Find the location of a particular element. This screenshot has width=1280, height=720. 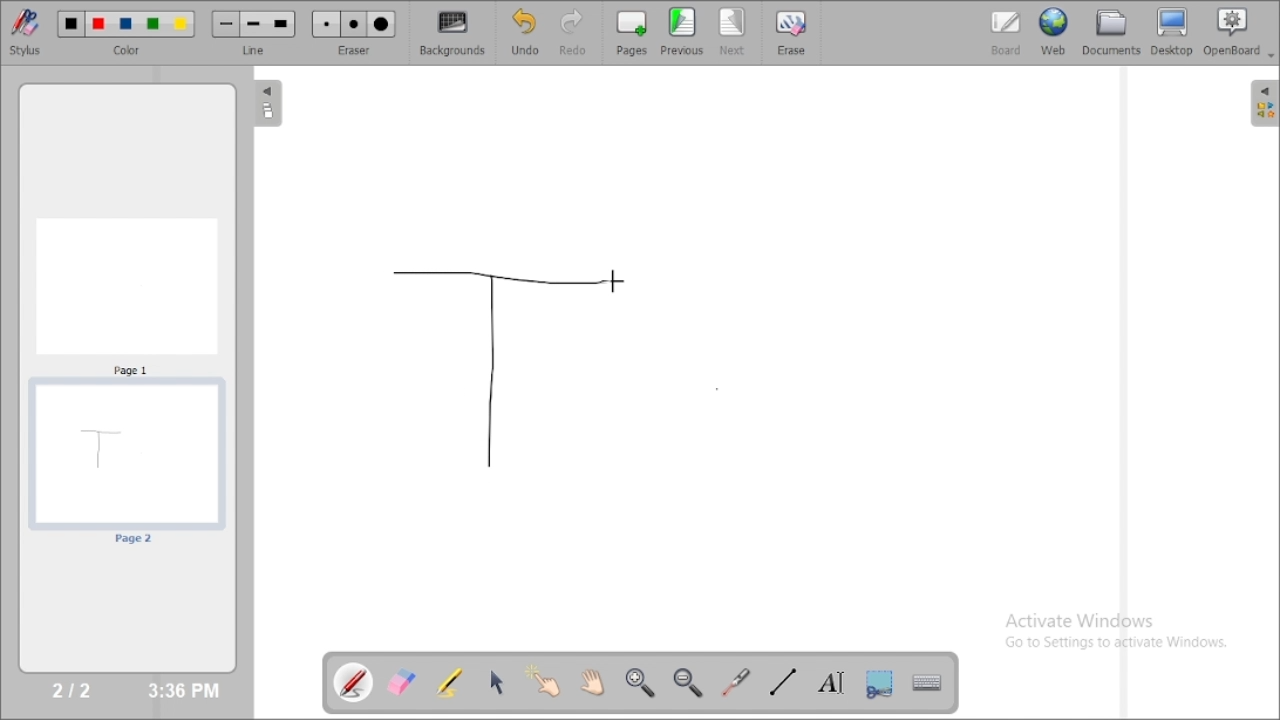

2/2 is located at coordinates (73, 689).